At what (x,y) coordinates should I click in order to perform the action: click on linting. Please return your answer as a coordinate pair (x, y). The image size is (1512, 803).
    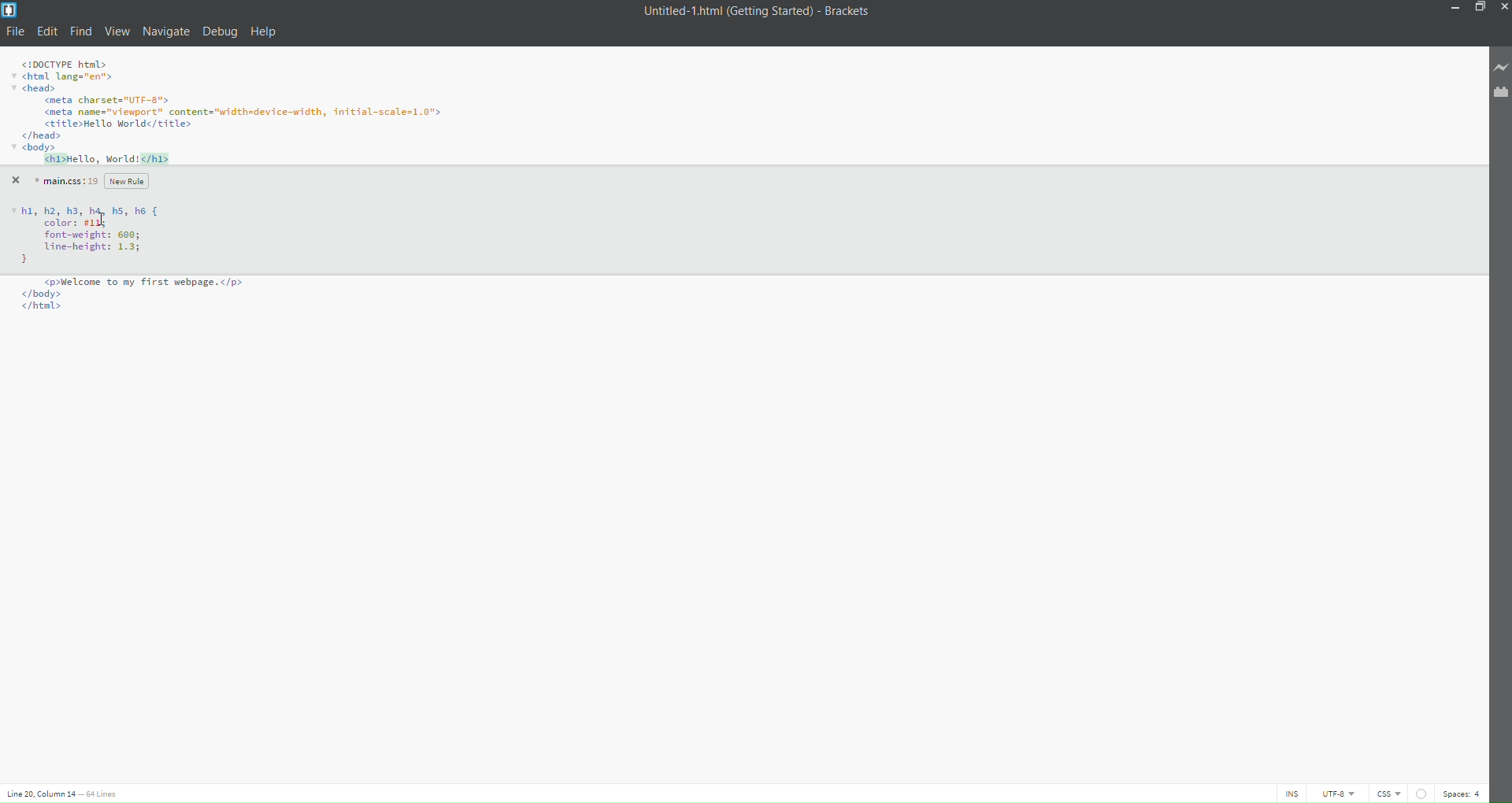
    Looking at the image, I should click on (1419, 791).